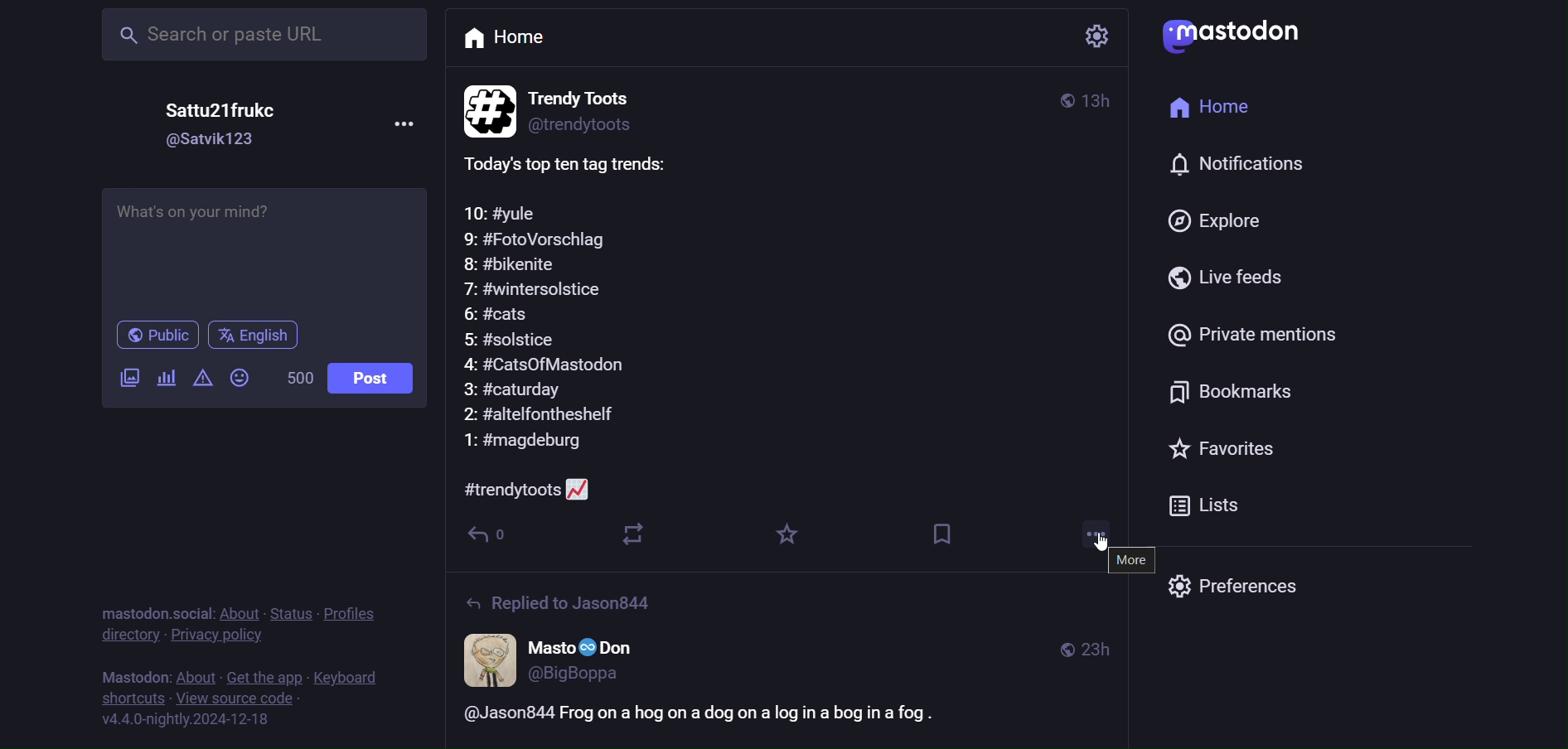  Describe the element at coordinates (206, 111) in the screenshot. I see `username` at that location.